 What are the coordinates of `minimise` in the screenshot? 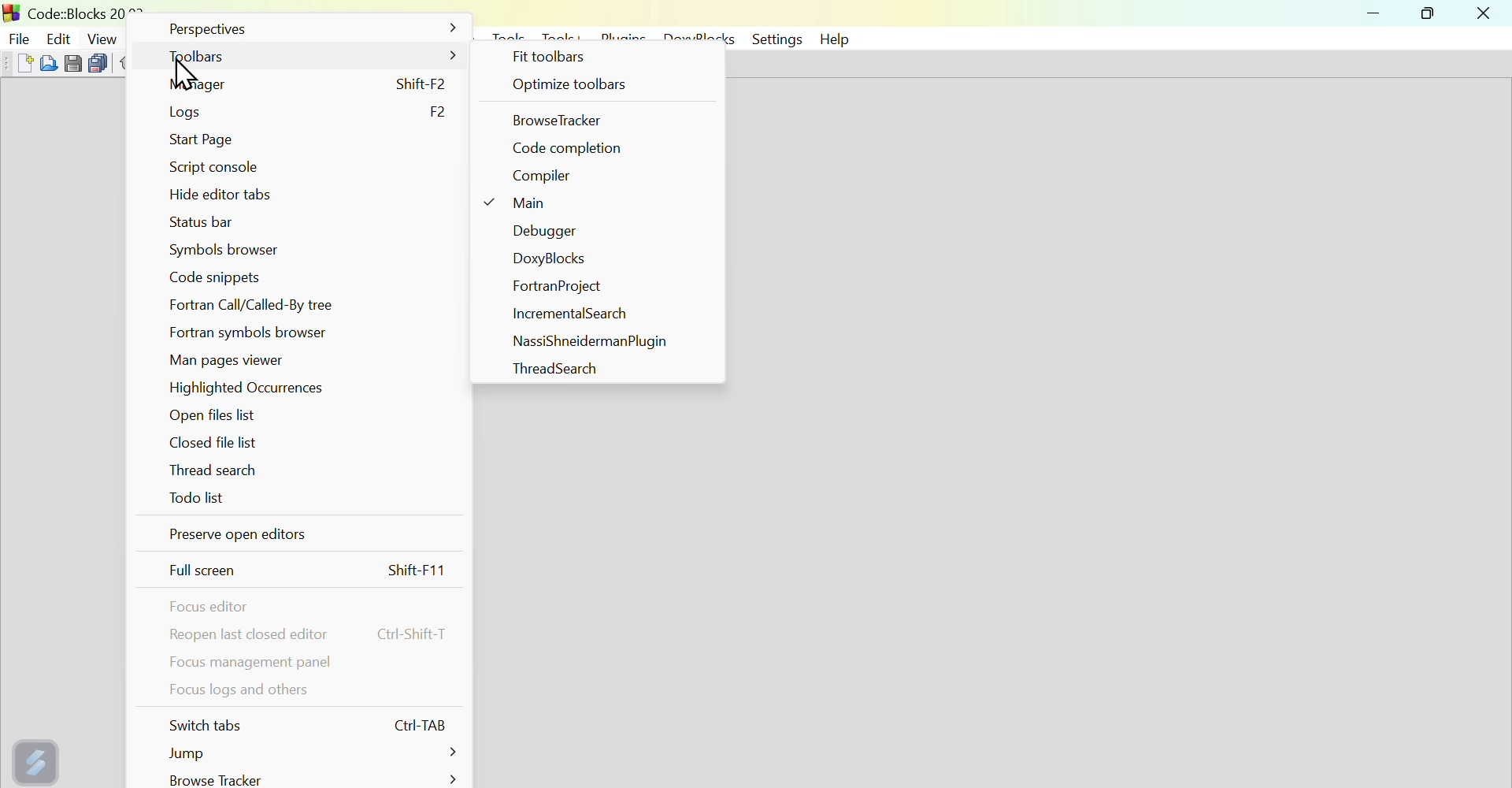 It's located at (1376, 16).